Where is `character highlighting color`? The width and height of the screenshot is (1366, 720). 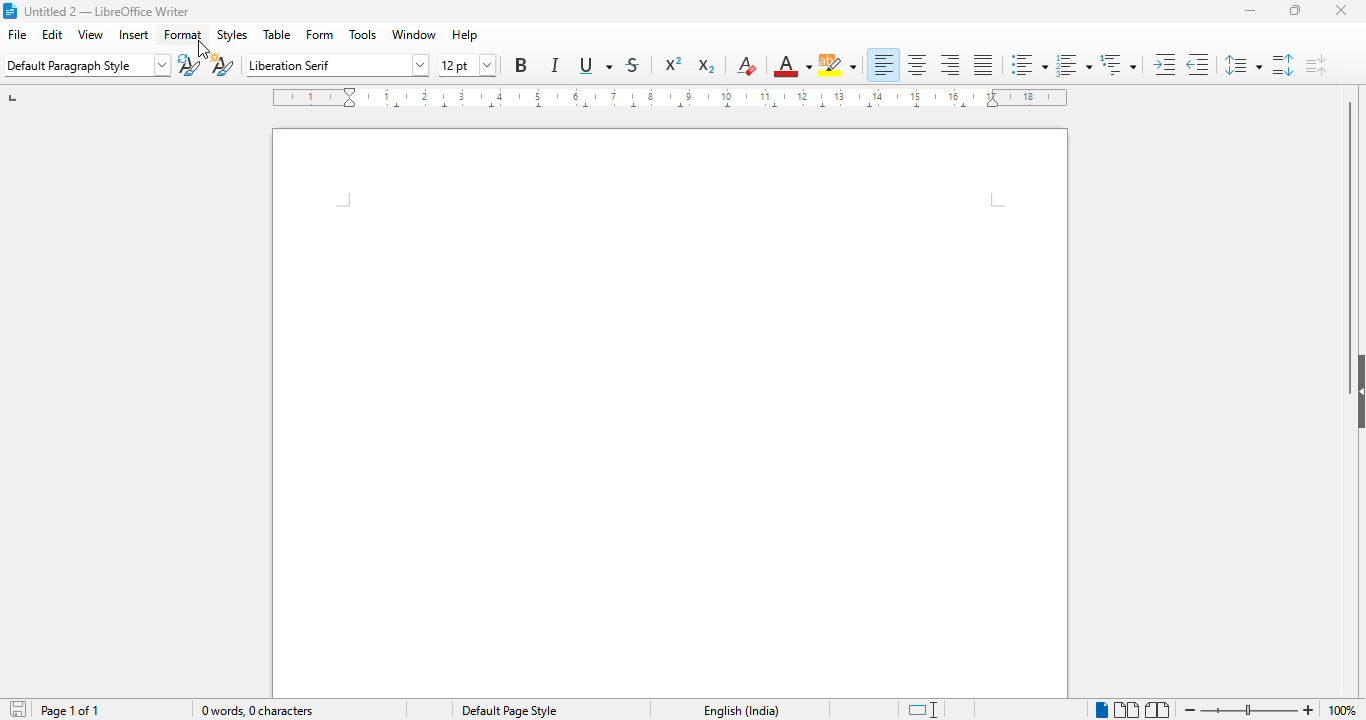 character highlighting color is located at coordinates (838, 66).